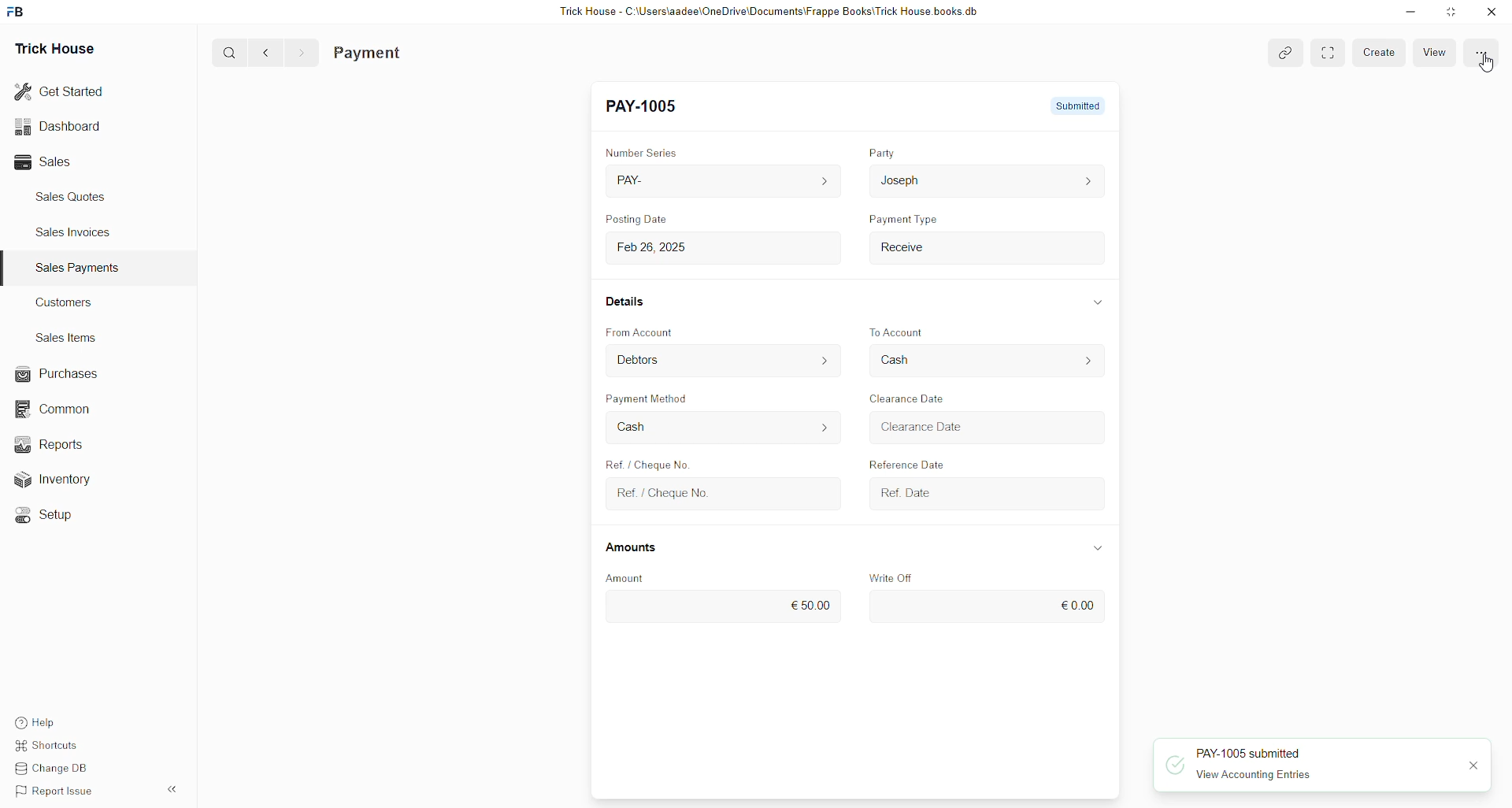 The width and height of the screenshot is (1512, 808). What do you see at coordinates (895, 332) in the screenshot?
I see `To Account` at bounding box center [895, 332].